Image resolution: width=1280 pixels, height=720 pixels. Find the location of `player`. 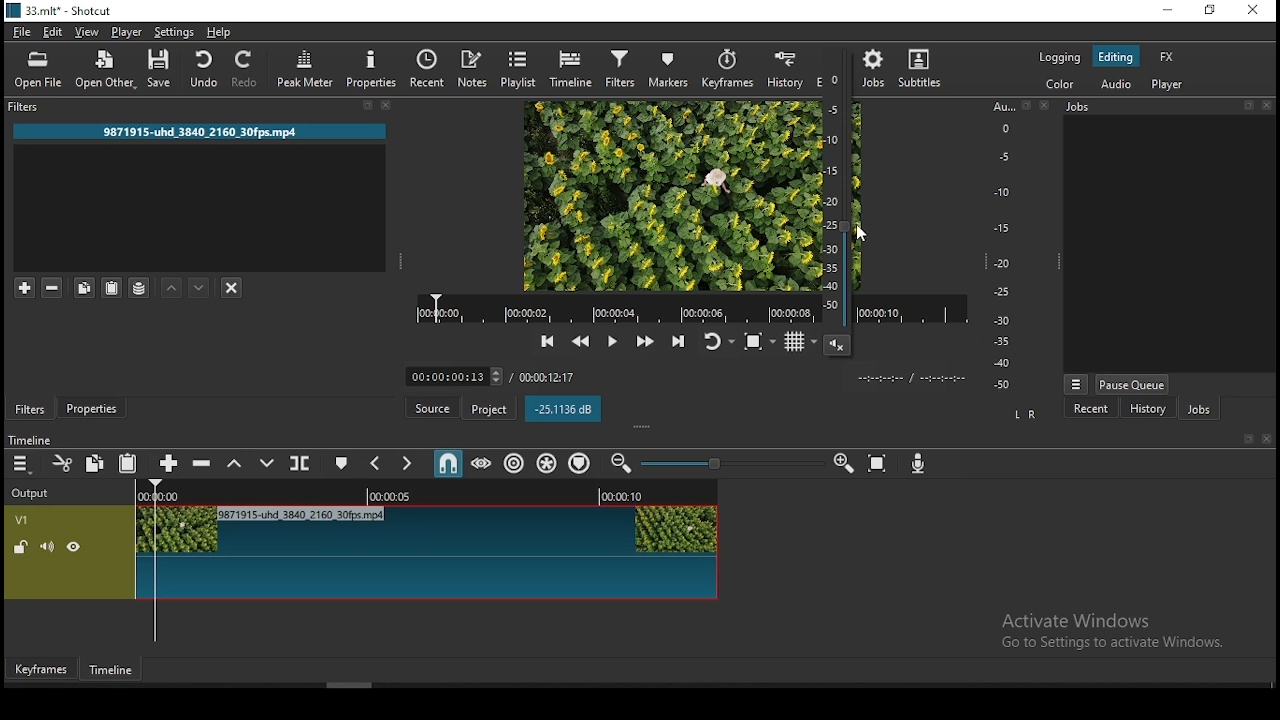

player is located at coordinates (1167, 84).